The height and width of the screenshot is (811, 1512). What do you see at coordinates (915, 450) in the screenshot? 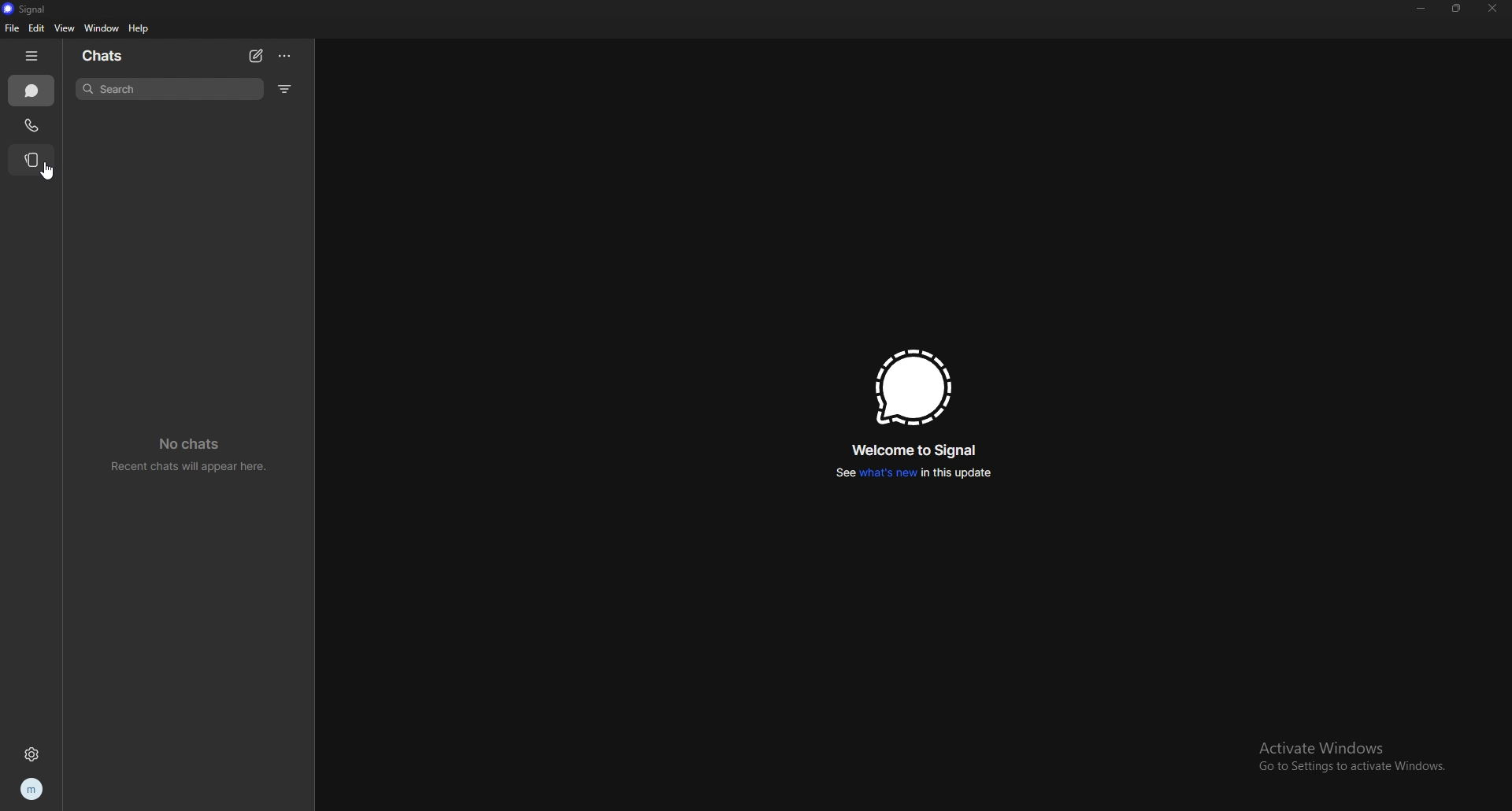
I see `welcome to signal` at bounding box center [915, 450].